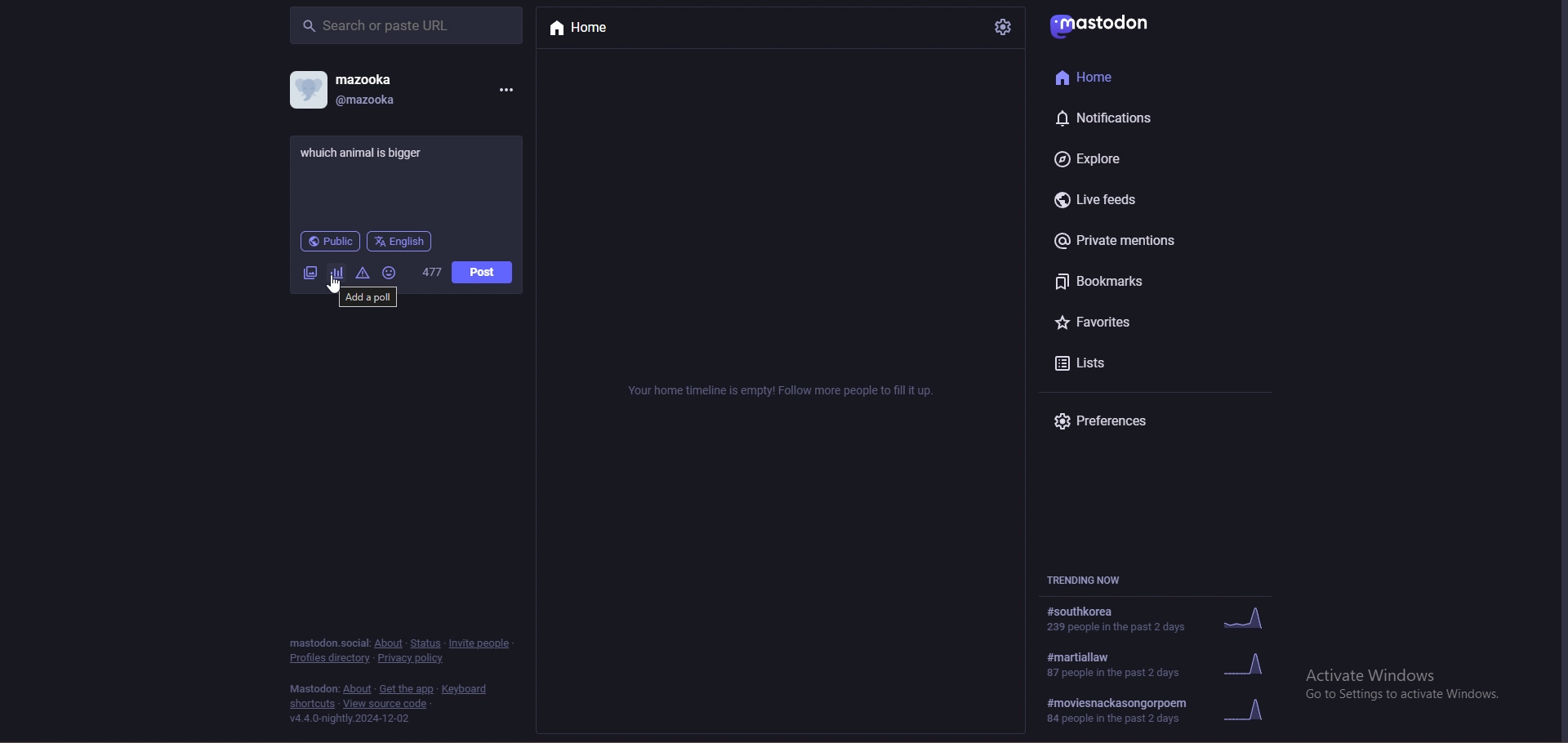 Image resolution: width=1568 pixels, height=743 pixels. Describe the element at coordinates (1107, 23) in the screenshot. I see `mastodon` at that location.